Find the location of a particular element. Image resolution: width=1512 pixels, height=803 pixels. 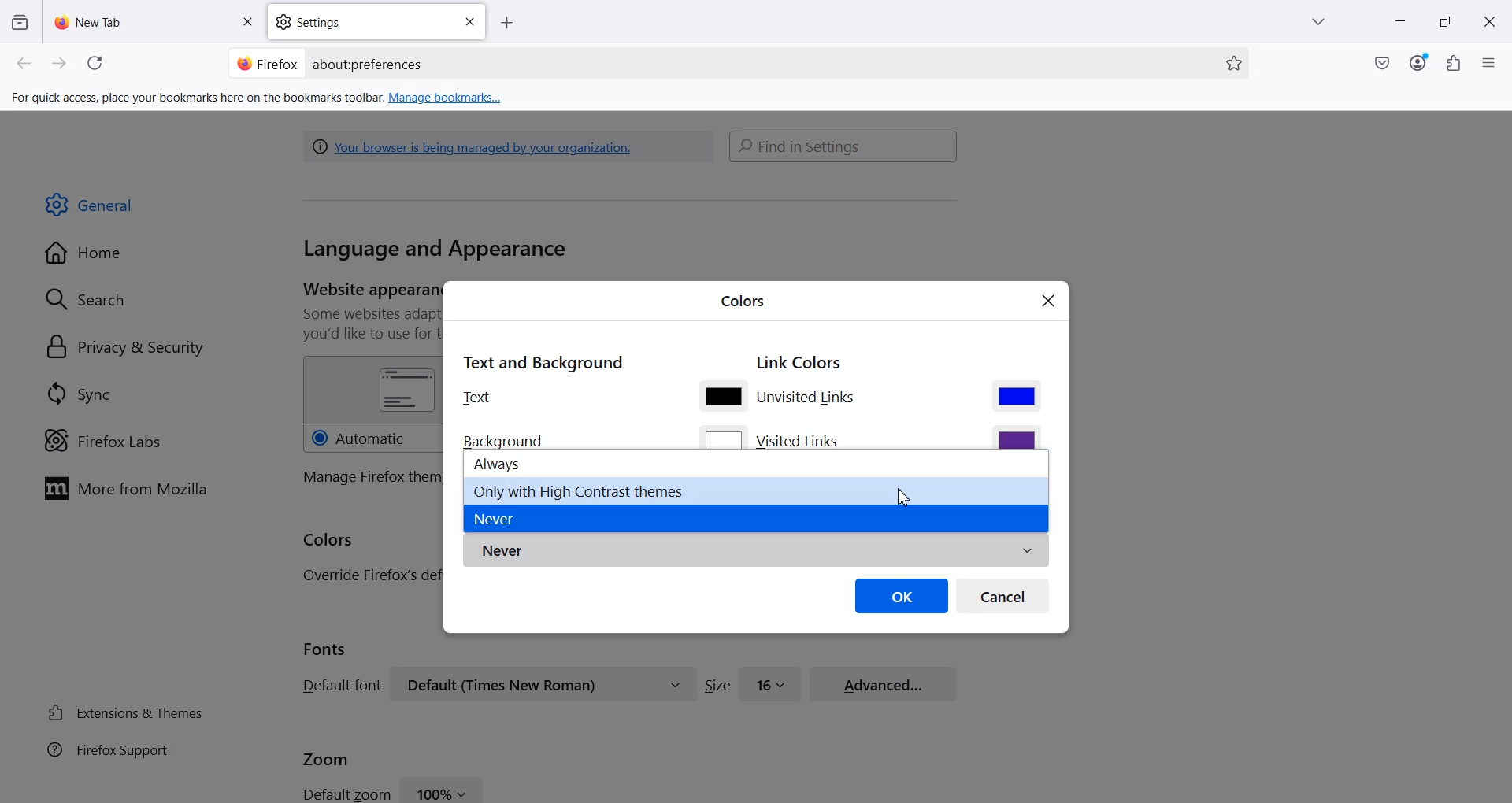

Default (Times New Roman) is located at coordinates (543, 684).